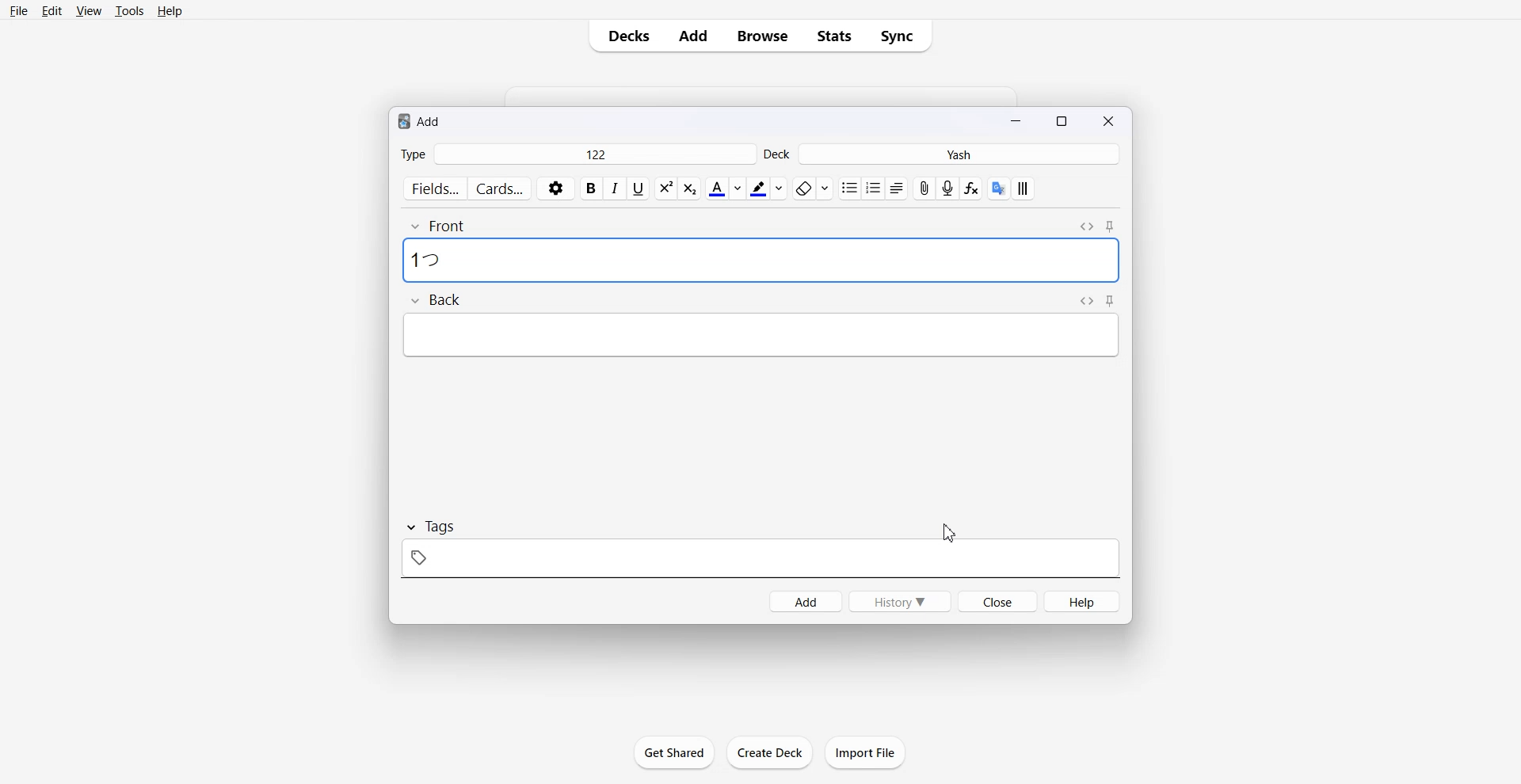  What do you see at coordinates (963, 154) in the screenshot?
I see `Yash` at bounding box center [963, 154].